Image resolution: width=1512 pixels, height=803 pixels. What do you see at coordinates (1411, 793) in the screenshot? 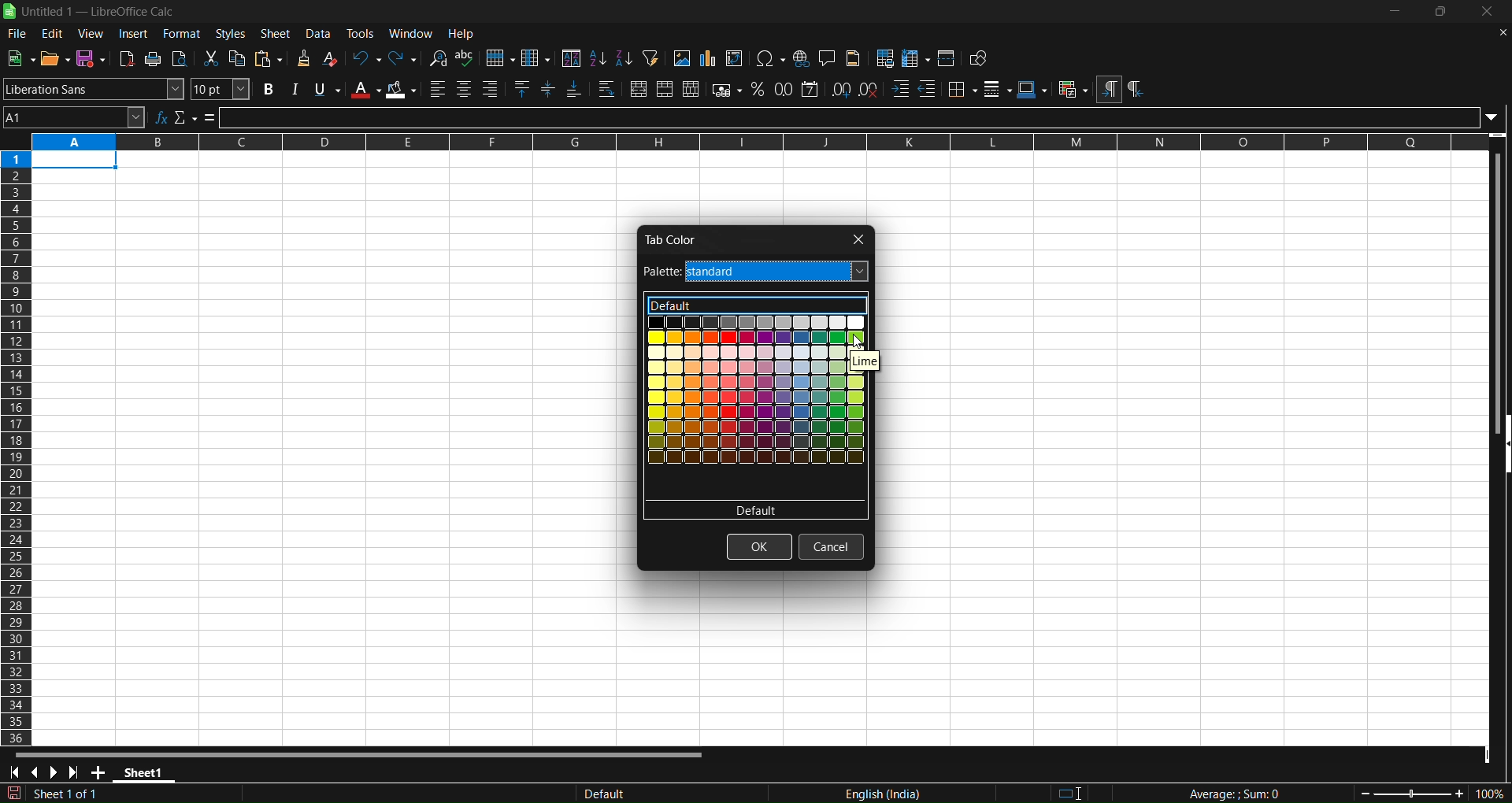
I see `zoom factor` at bounding box center [1411, 793].